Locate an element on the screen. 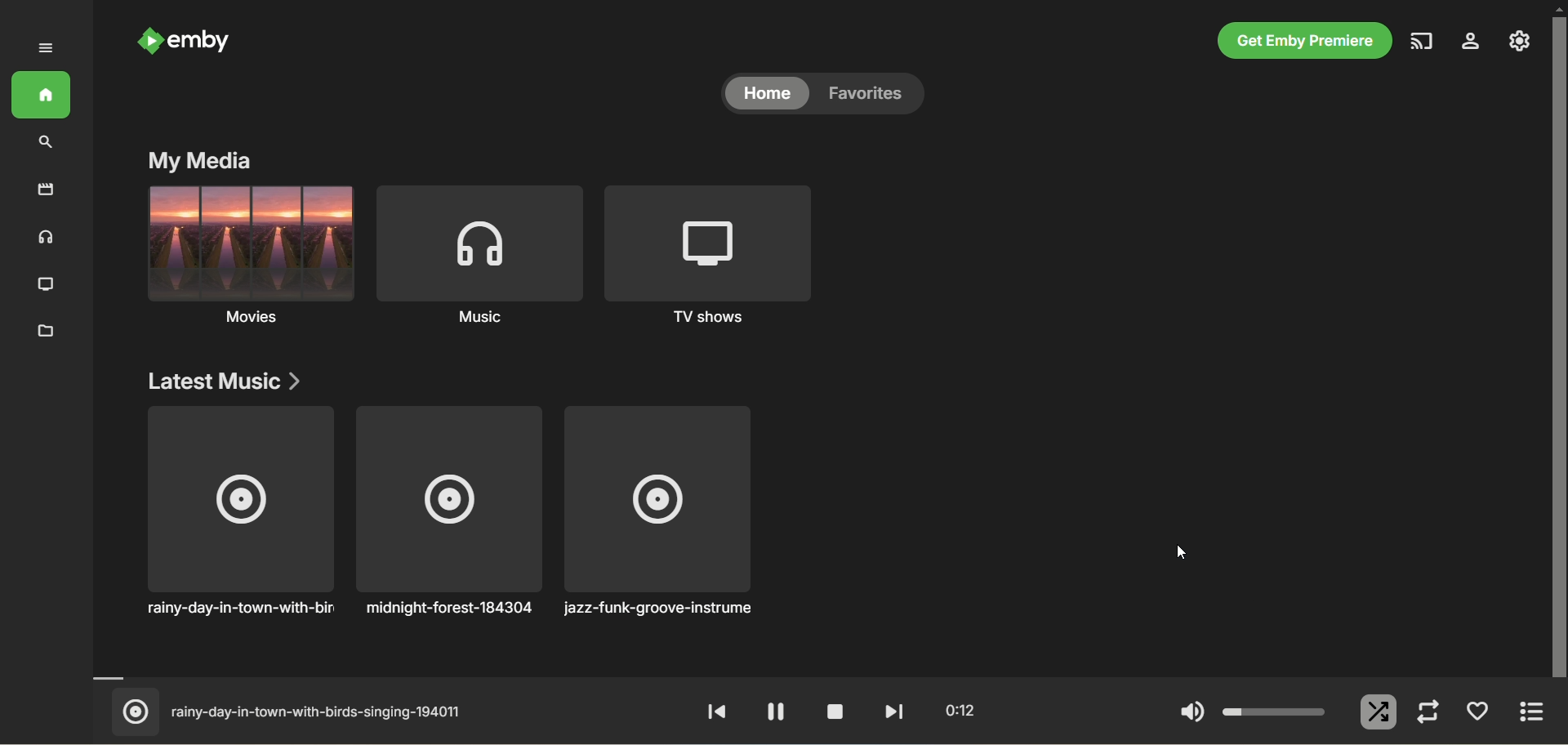  timeline is located at coordinates (816, 677).